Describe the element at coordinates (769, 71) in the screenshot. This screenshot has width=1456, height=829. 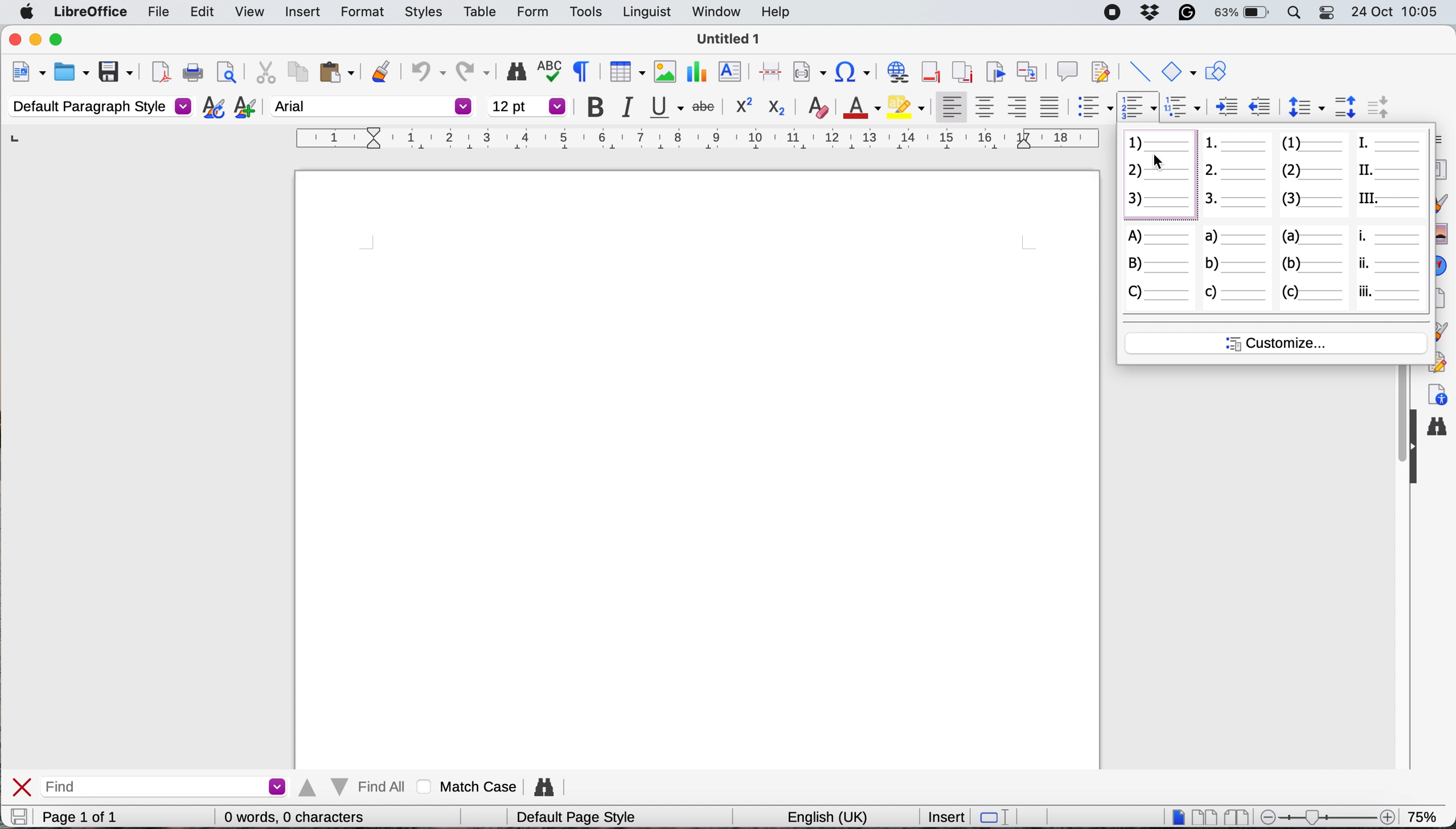
I see `insert page break` at that location.